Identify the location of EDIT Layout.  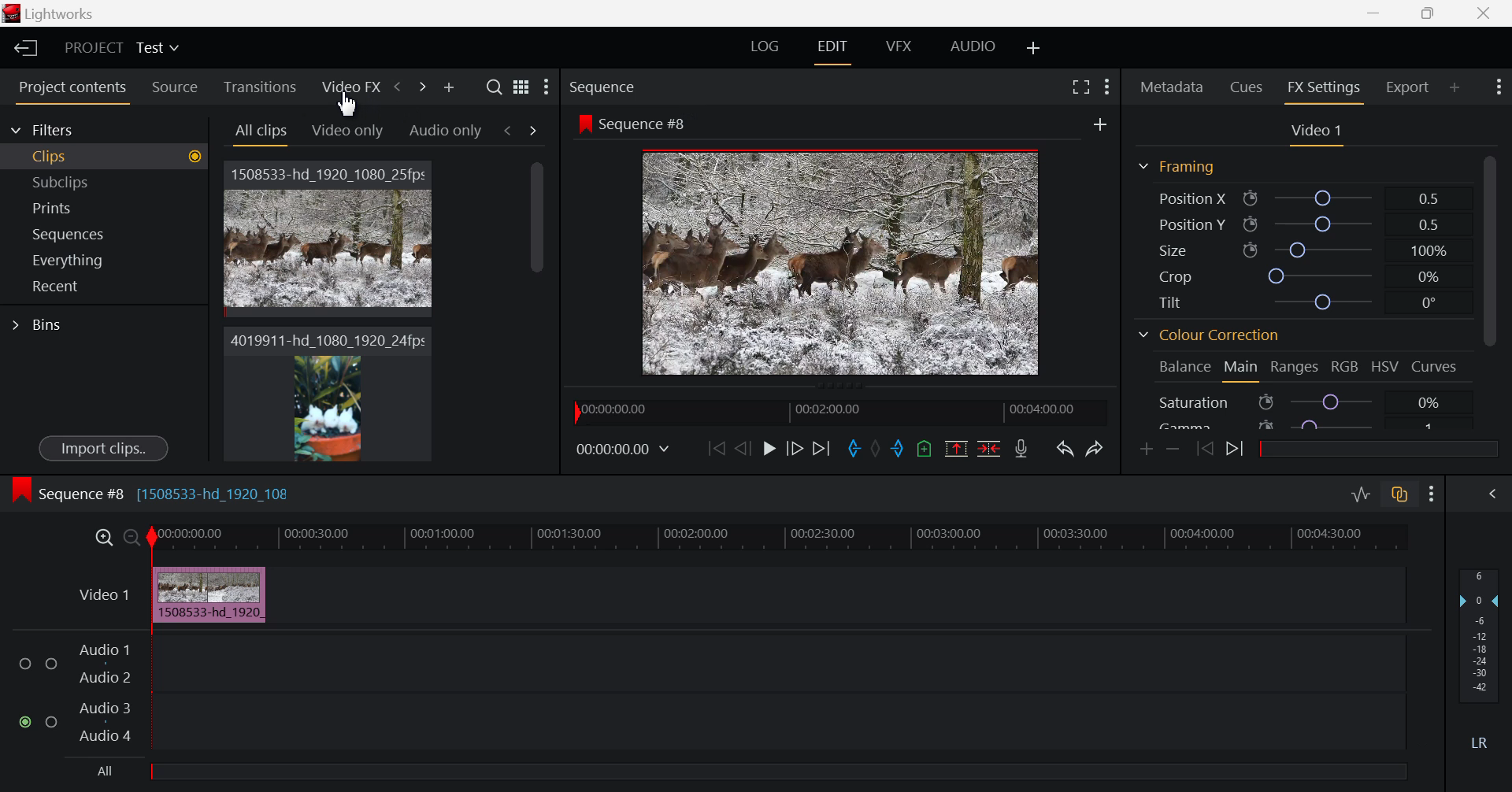
(835, 53).